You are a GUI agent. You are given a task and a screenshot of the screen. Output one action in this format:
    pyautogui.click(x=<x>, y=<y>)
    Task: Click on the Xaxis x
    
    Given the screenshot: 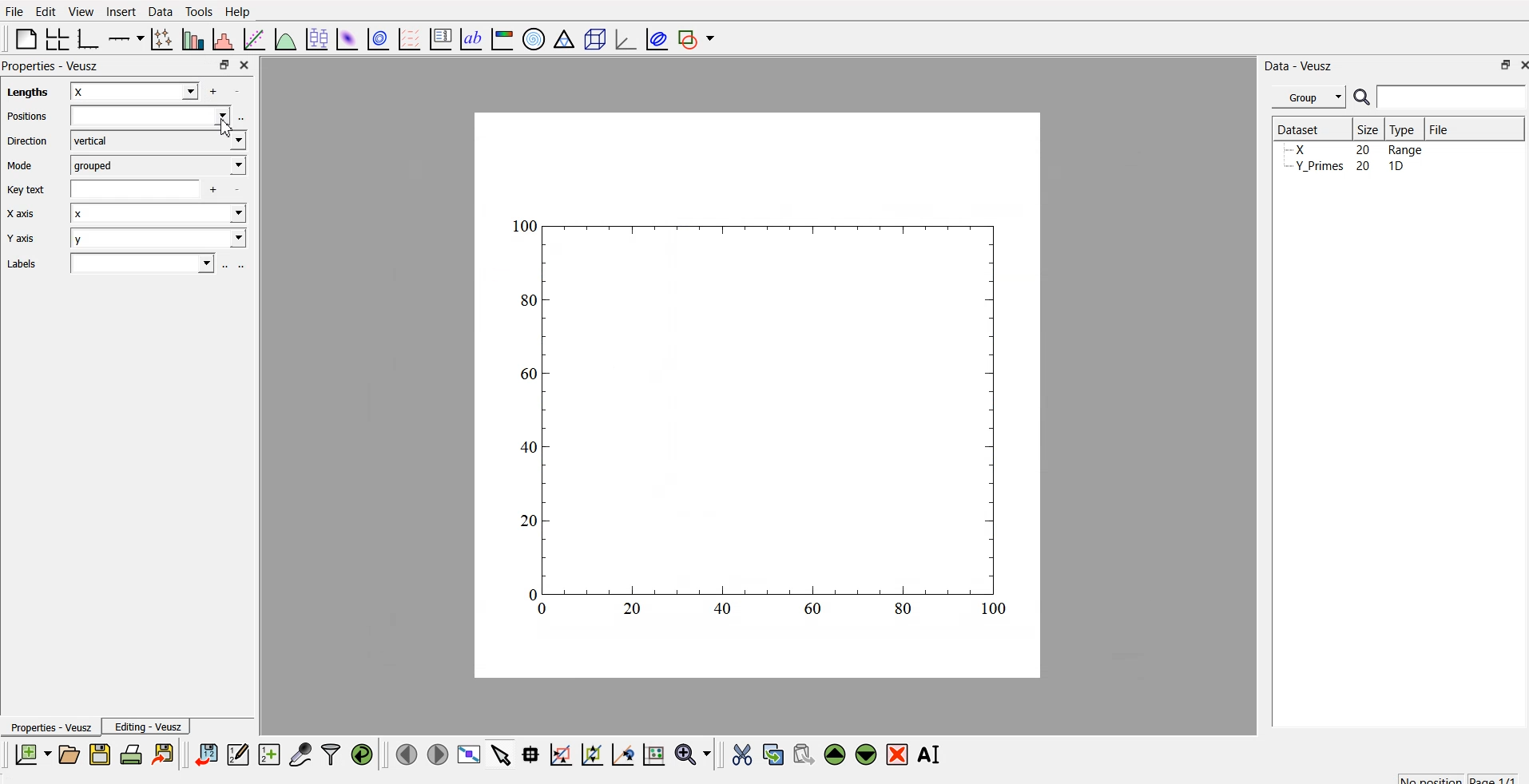 What is the action you would take?
    pyautogui.click(x=131, y=216)
    